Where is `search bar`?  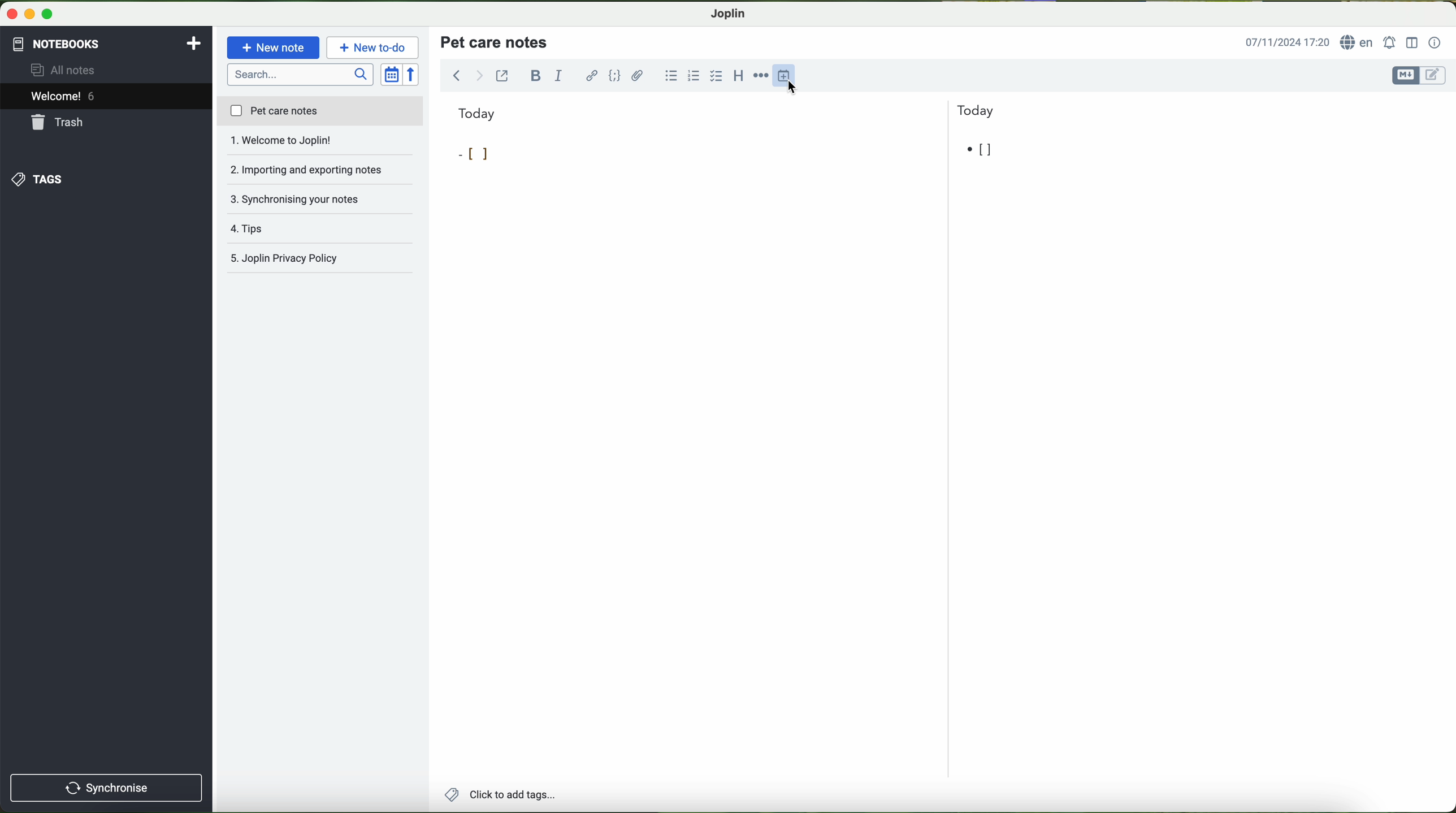 search bar is located at coordinates (302, 73).